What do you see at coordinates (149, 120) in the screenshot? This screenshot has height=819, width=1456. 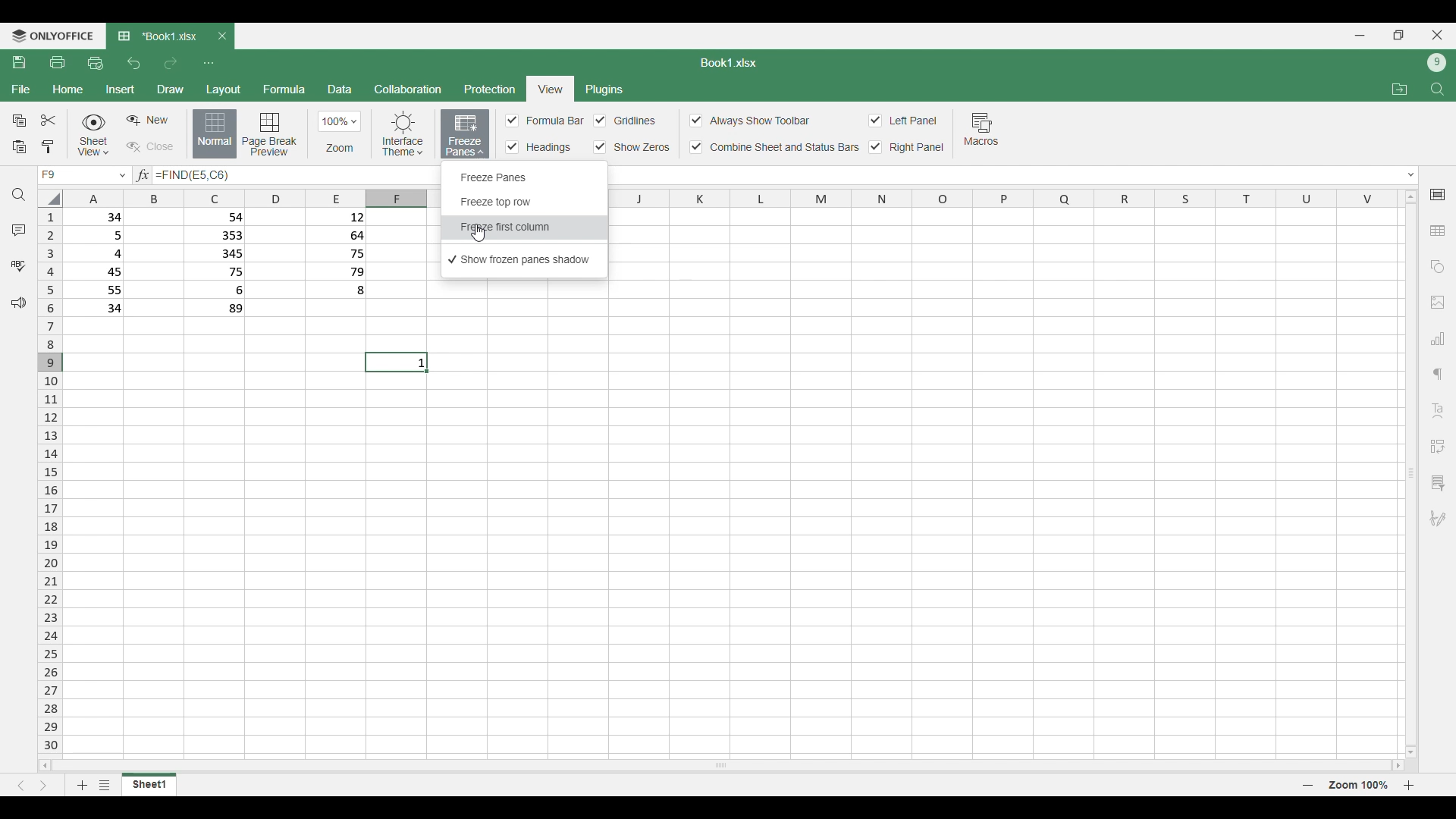 I see `Create sheet view` at bounding box center [149, 120].